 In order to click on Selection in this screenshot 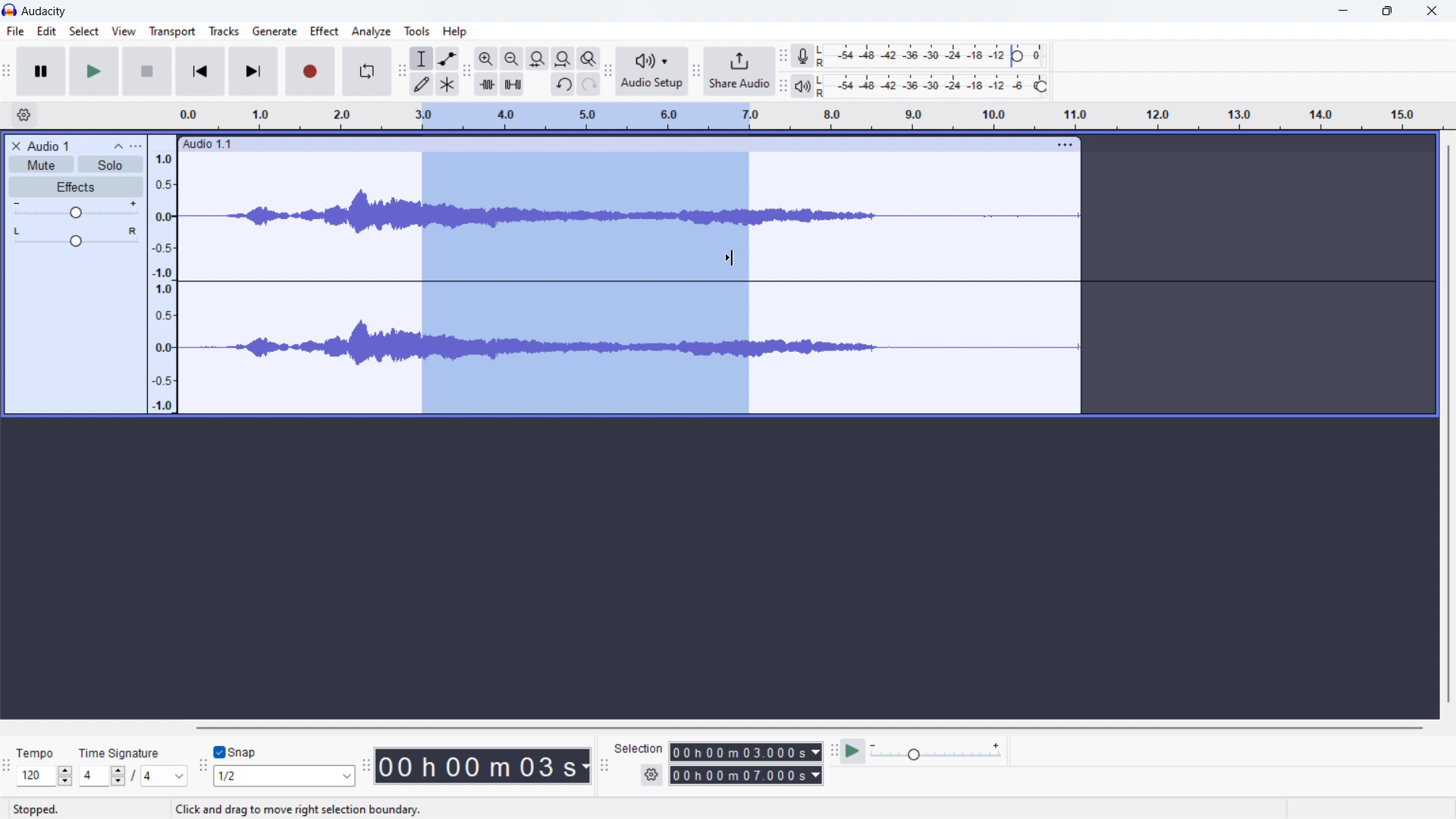, I will do `click(639, 750)`.